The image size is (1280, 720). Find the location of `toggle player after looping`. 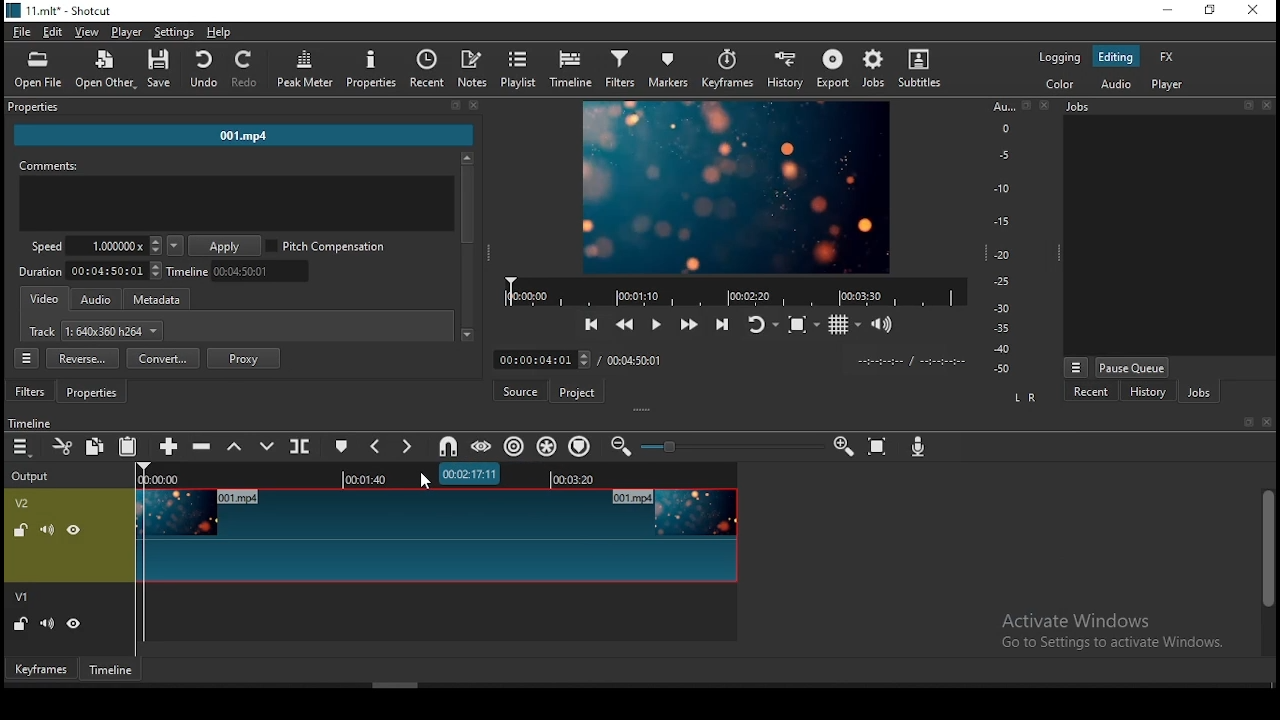

toggle player after looping is located at coordinates (763, 322).